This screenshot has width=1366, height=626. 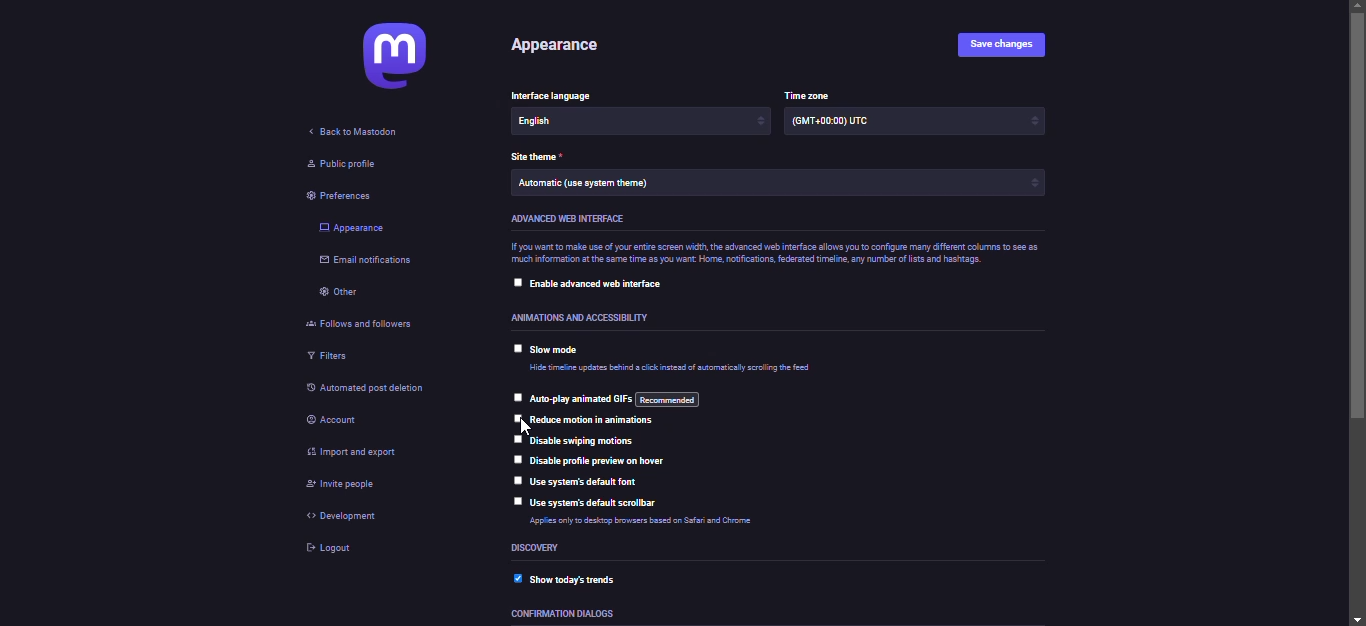 What do you see at coordinates (558, 615) in the screenshot?
I see `dialoges` at bounding box center [558, 615].